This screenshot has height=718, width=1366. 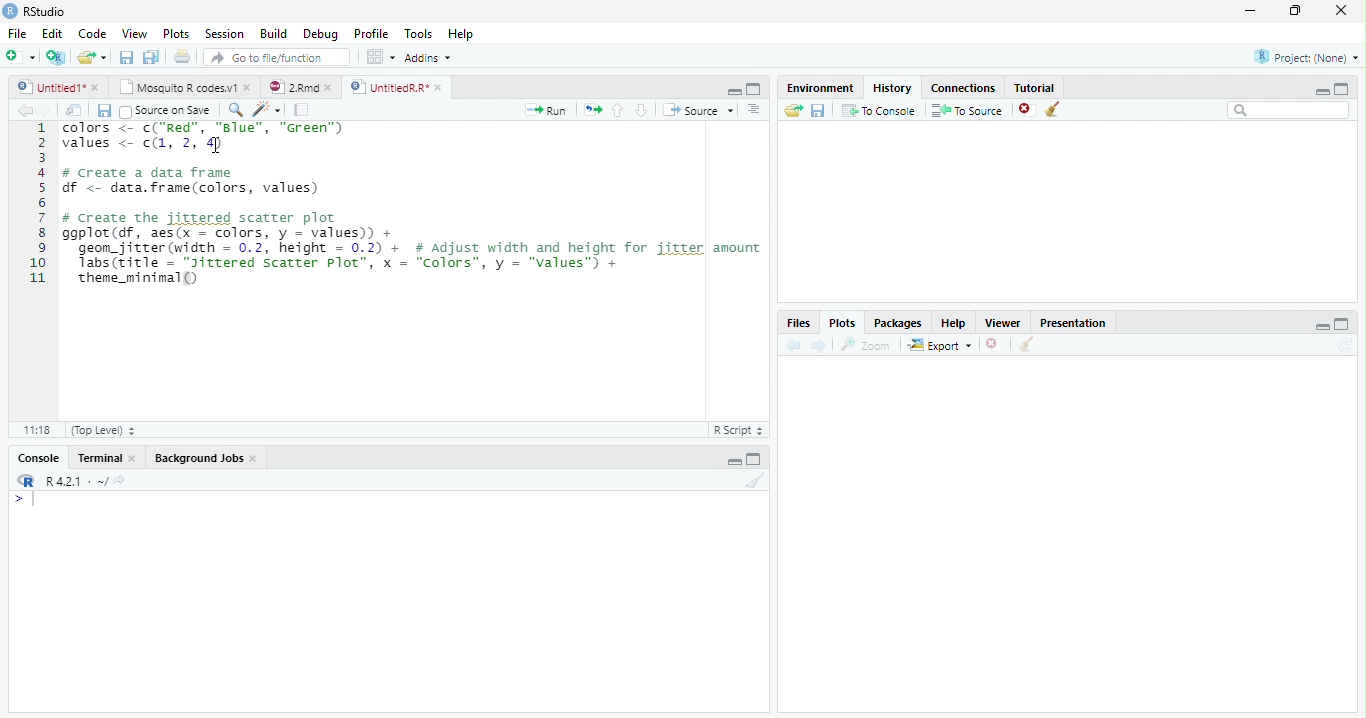 What do you see at coordinates (215, 144) in the screenshot?
I see `cursor` at bounding box center [215, 144].